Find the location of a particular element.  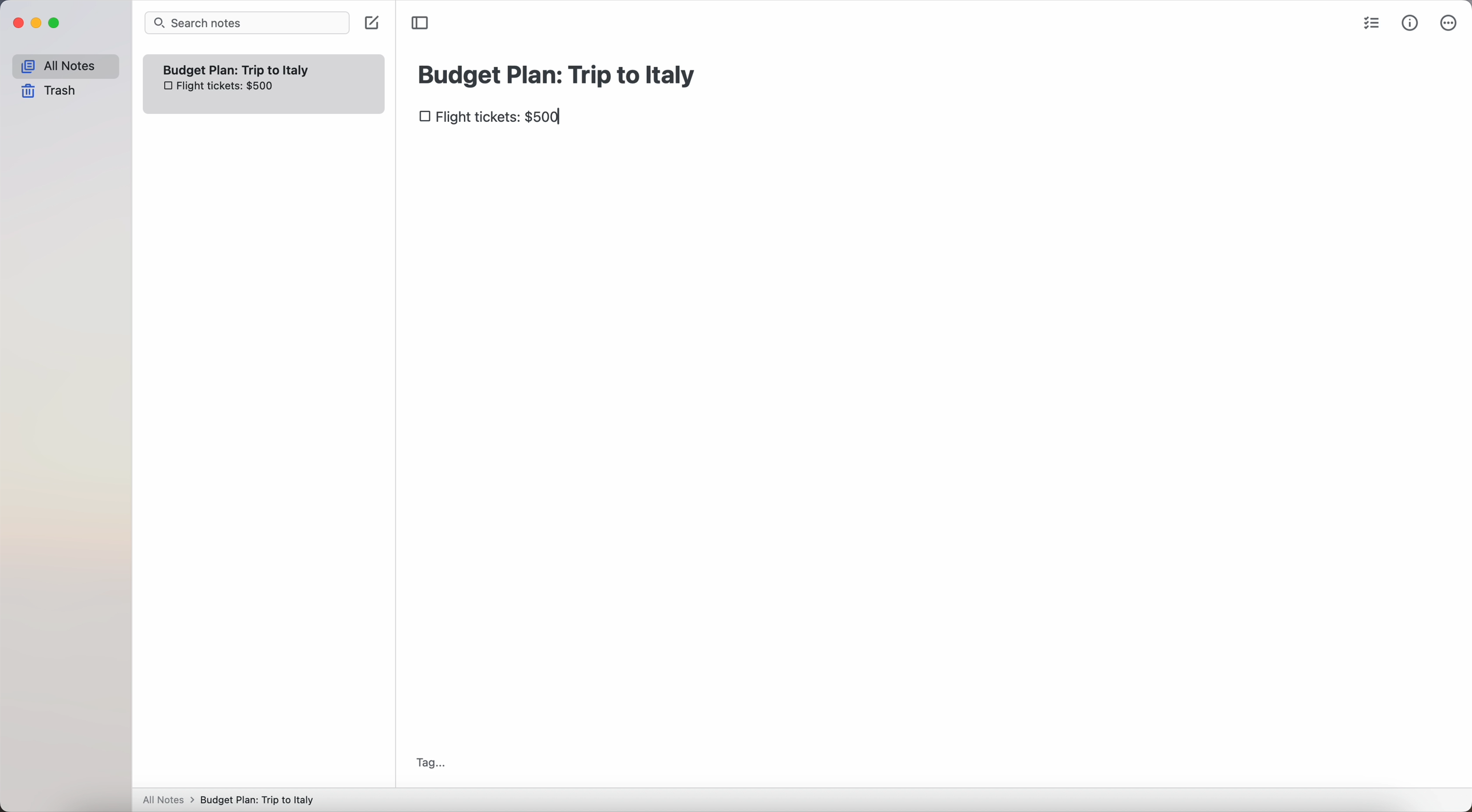

All notes > Budget Plan: Trip to Italy is located at coordinates (234, 799).